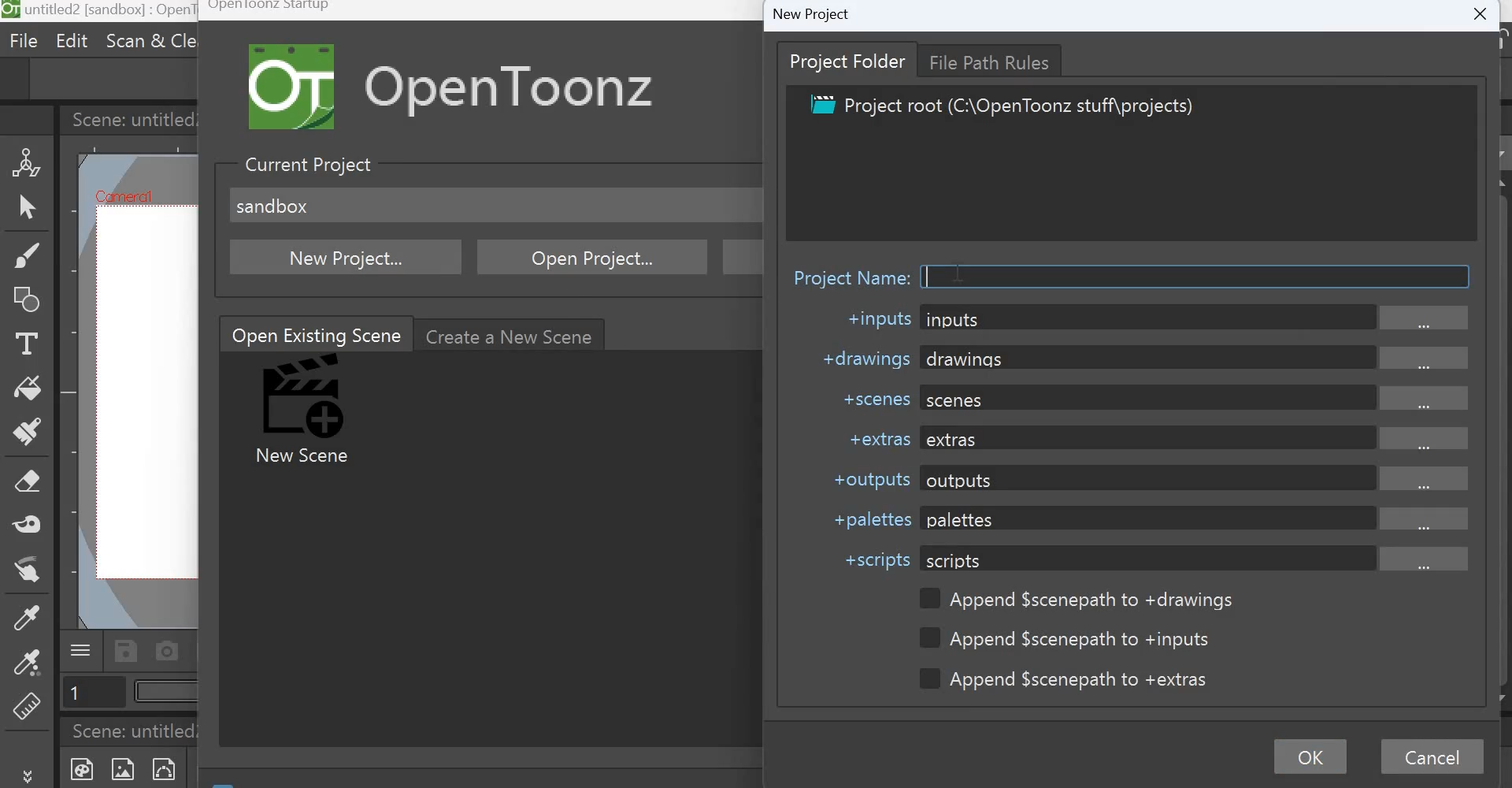 This screenshot has height=788, width=1512. I want to click on Fill tool, so click(28, 388).